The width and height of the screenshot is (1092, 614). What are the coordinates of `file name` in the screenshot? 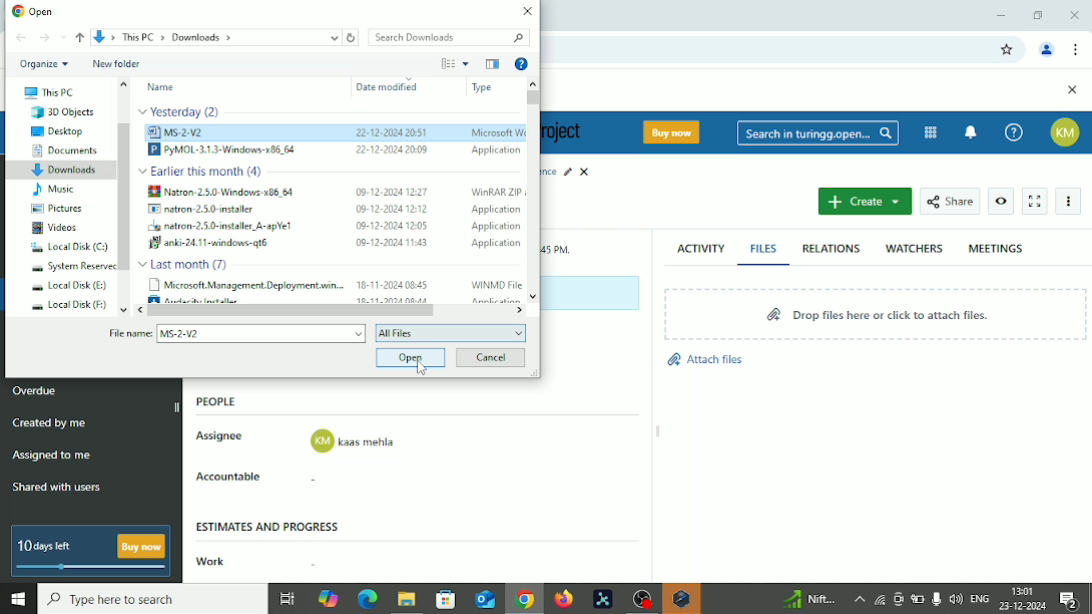 It's located at (128, 334).